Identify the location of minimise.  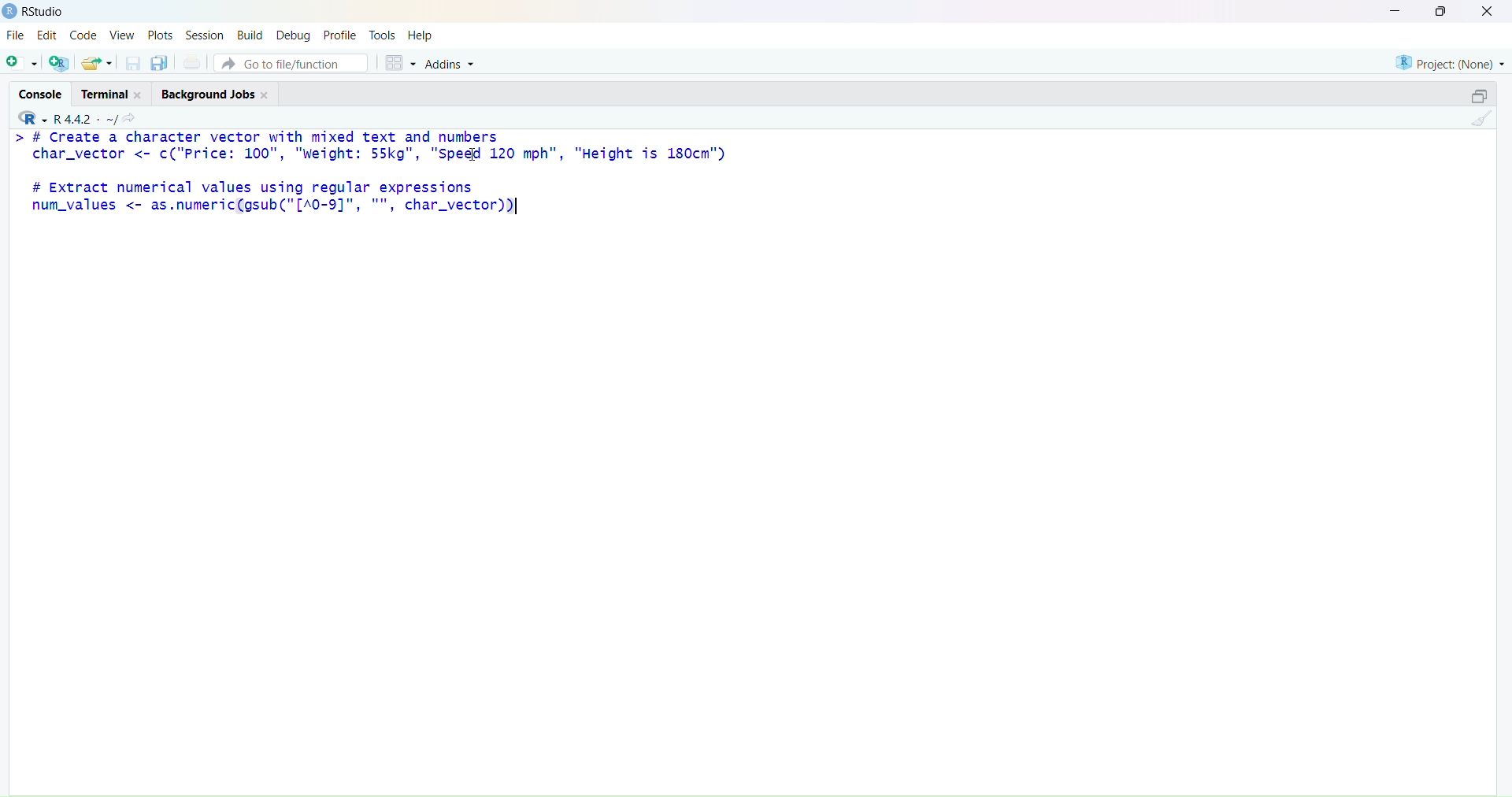
(1396, 10).